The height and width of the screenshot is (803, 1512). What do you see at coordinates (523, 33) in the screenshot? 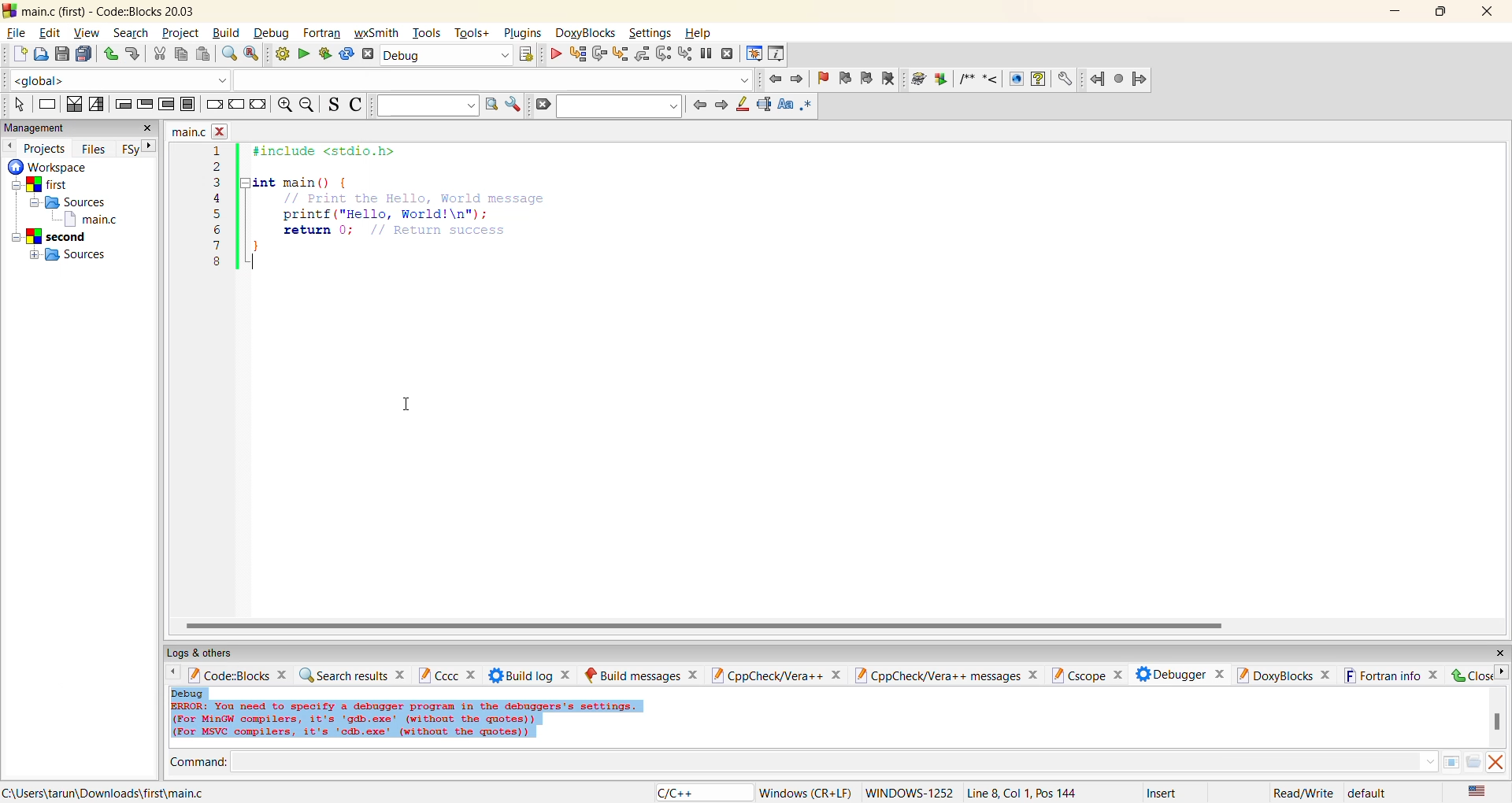
I see `plugins` at bounding box center [523, 33].